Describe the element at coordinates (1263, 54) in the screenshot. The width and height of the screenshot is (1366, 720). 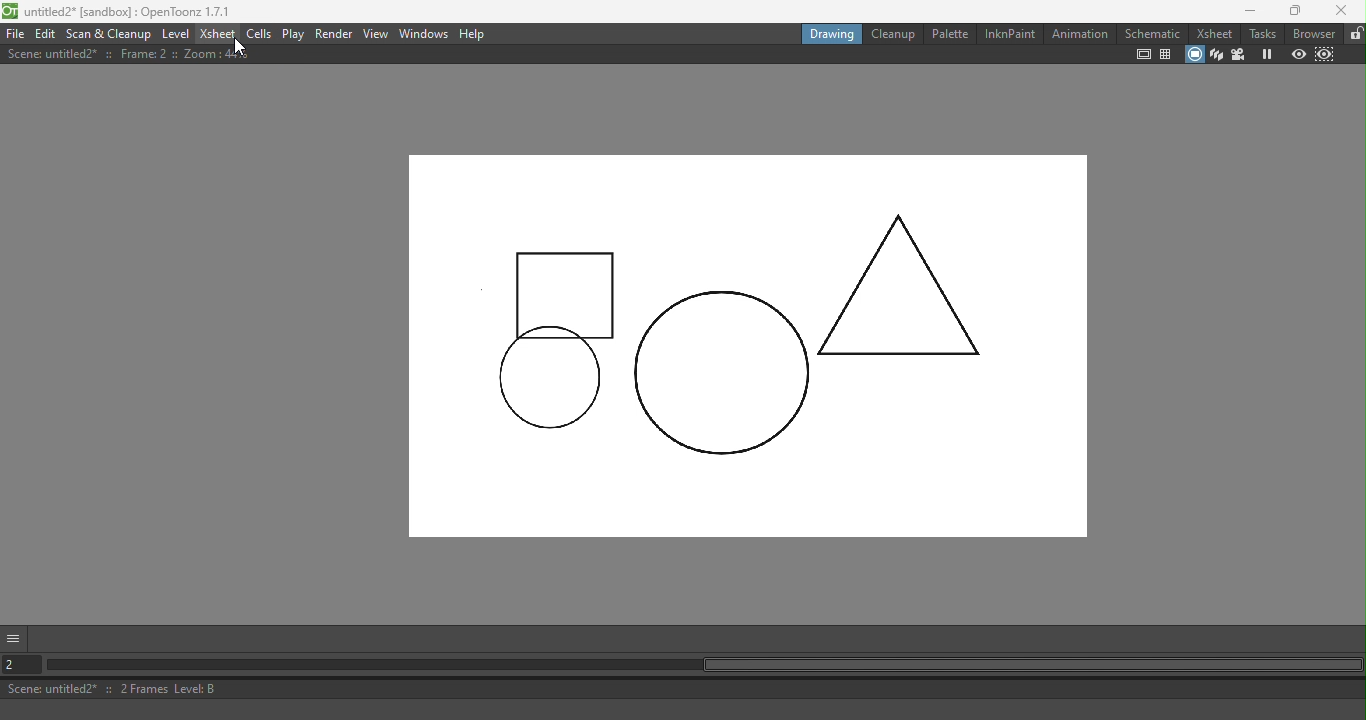
I see `Freeze` at that location.